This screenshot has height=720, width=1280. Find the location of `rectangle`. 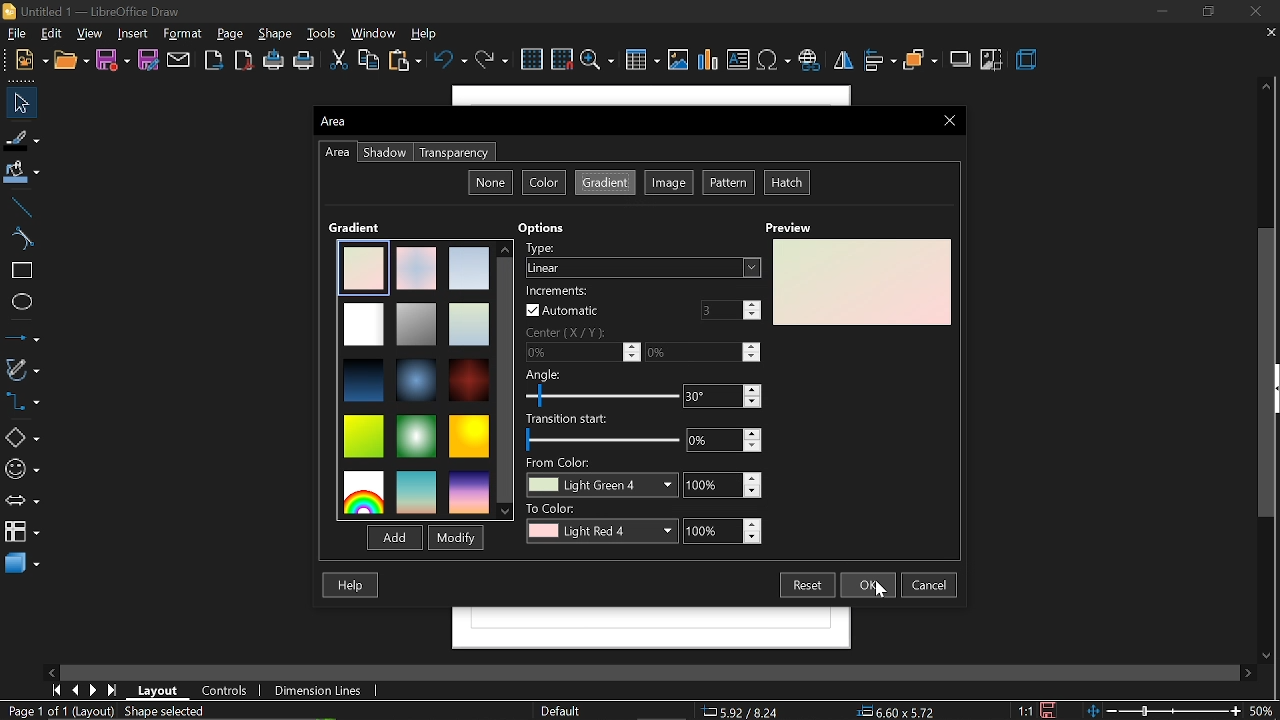

rectangle is located at coordinates (19, 271).